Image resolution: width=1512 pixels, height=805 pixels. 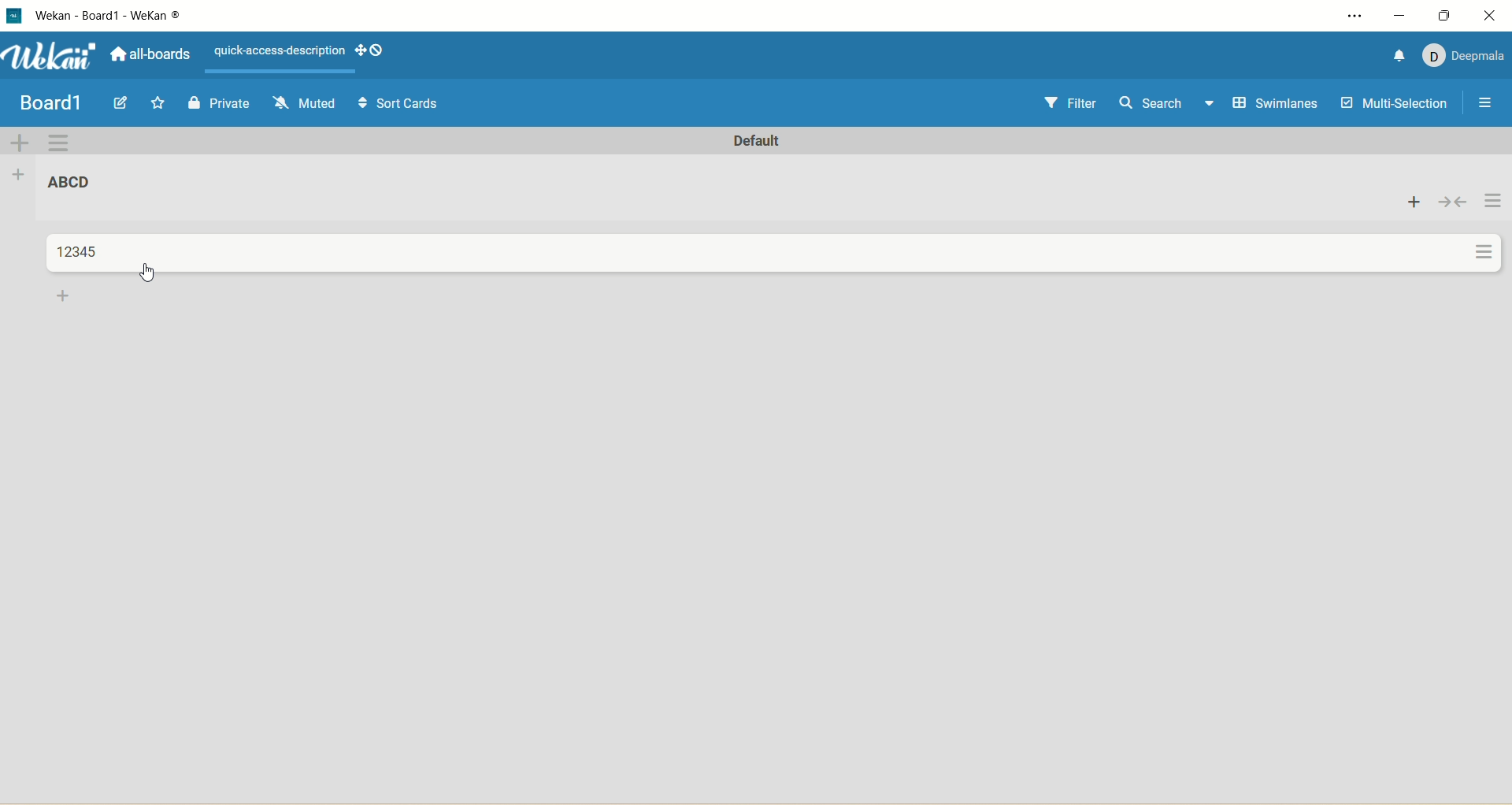 I want to click on add card, so click(x=1414, y=202).